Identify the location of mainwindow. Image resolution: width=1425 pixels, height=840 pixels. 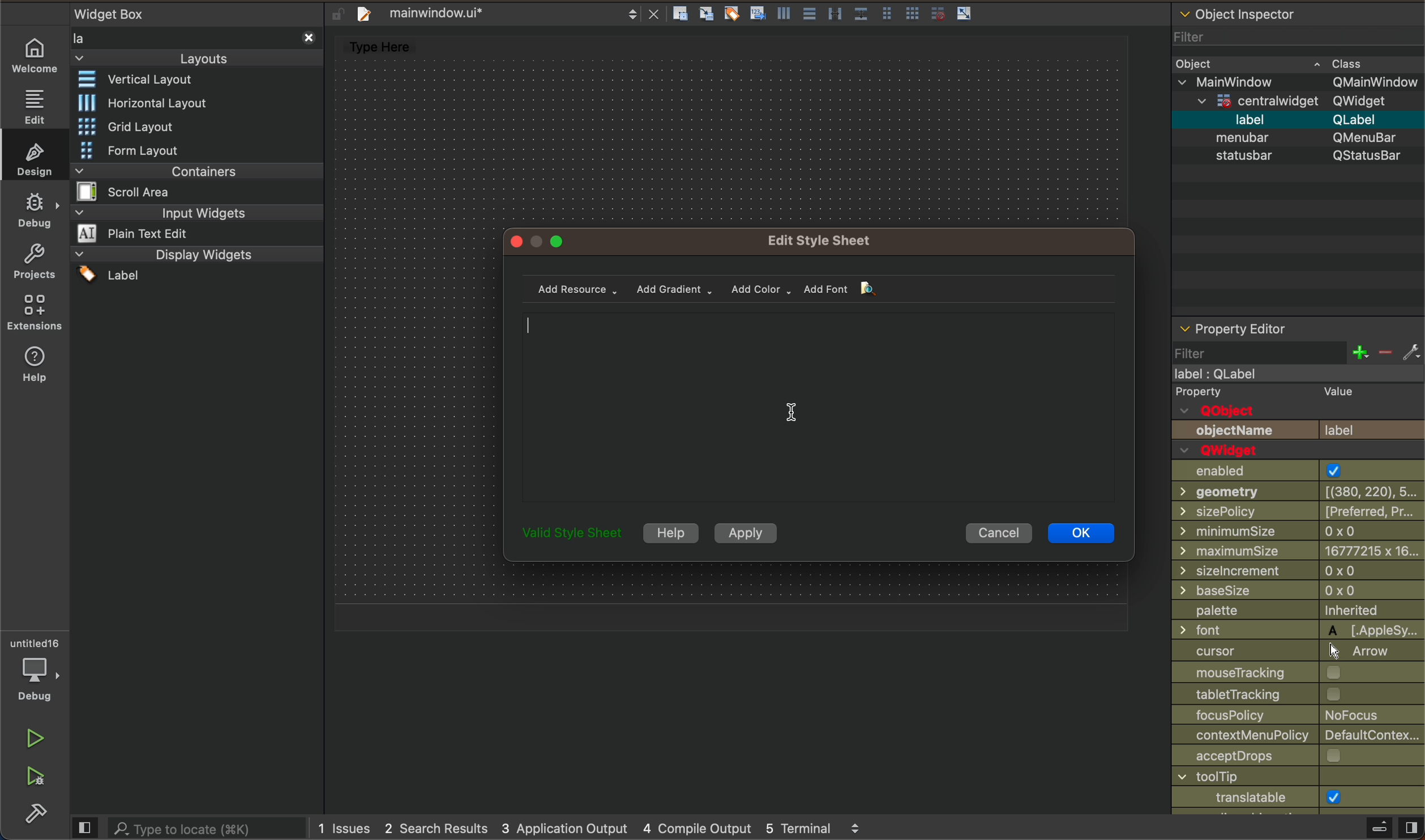
(1300, 82).